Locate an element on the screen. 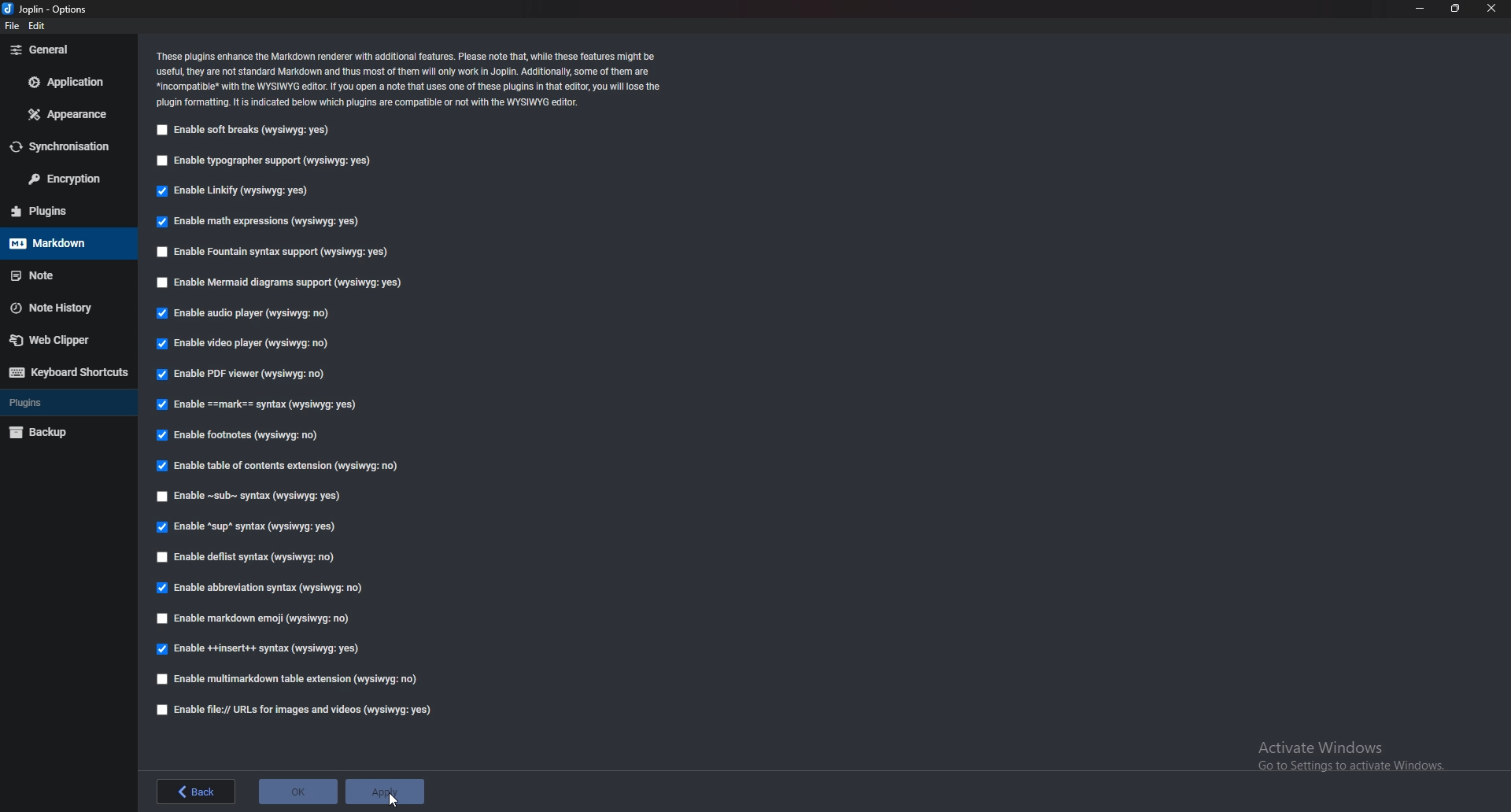  edit is located at coordinates (39, 28).